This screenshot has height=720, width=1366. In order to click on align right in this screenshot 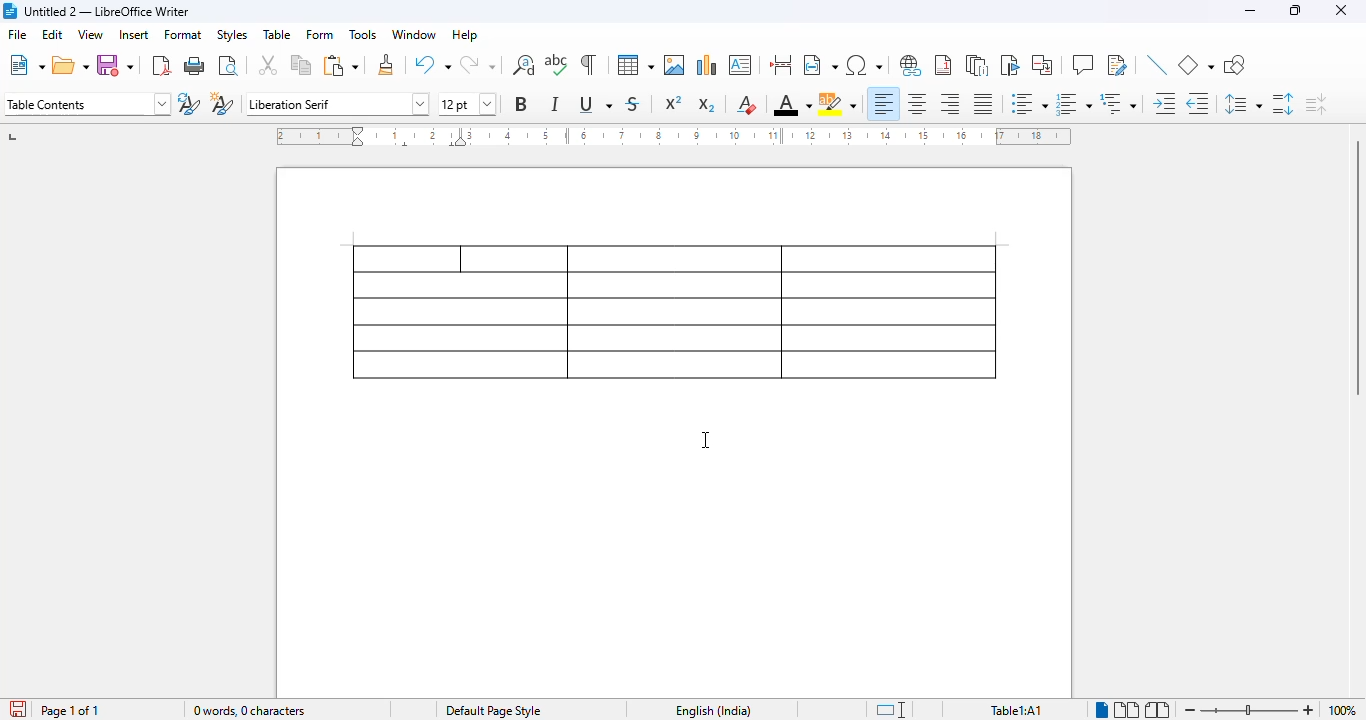, I will do `click(949, 104)`.